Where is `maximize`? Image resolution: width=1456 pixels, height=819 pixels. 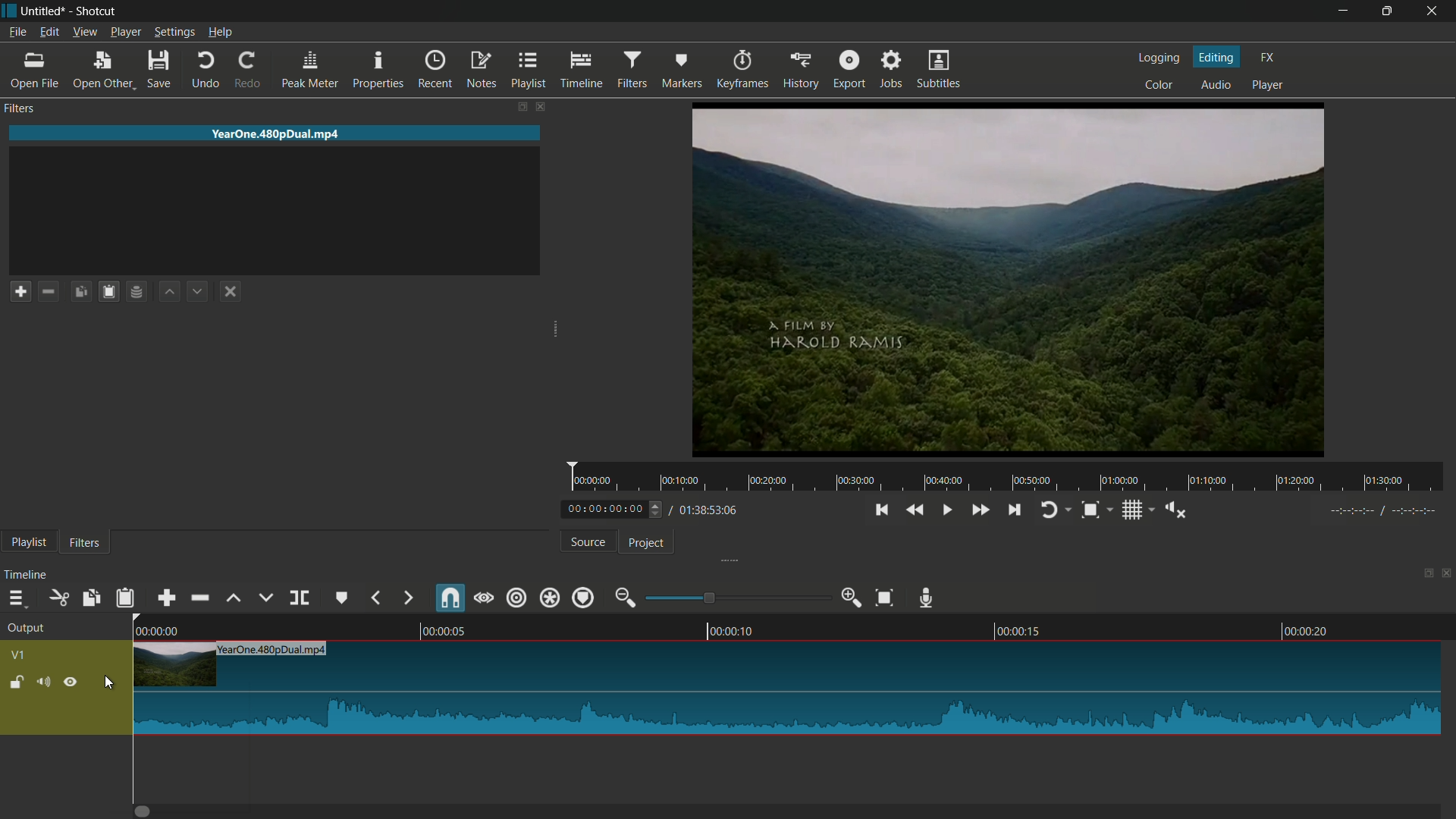
maximize is located at coordinates (1387, 11).